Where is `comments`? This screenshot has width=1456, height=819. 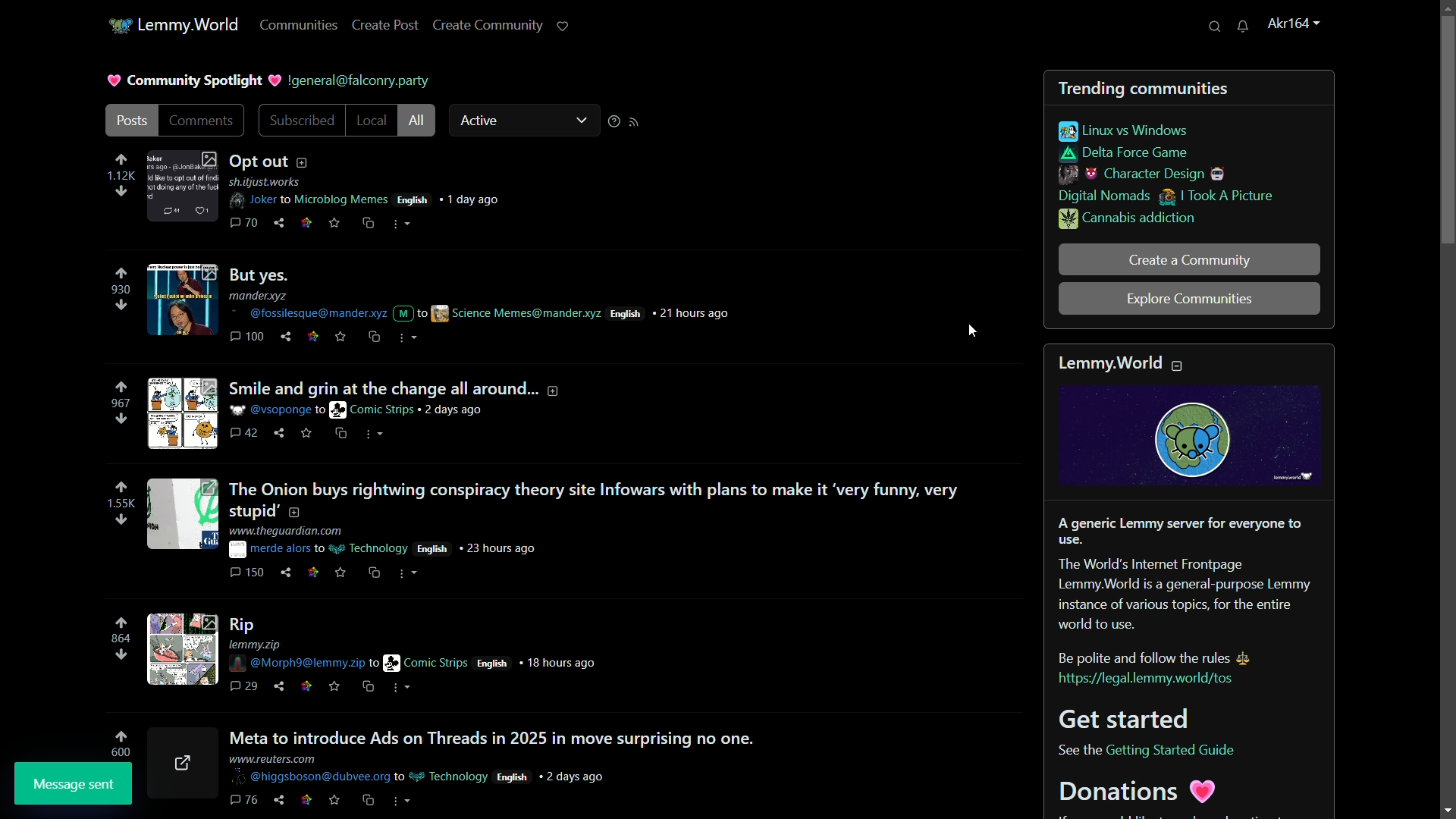 comments is located at coordinates (241, 220).